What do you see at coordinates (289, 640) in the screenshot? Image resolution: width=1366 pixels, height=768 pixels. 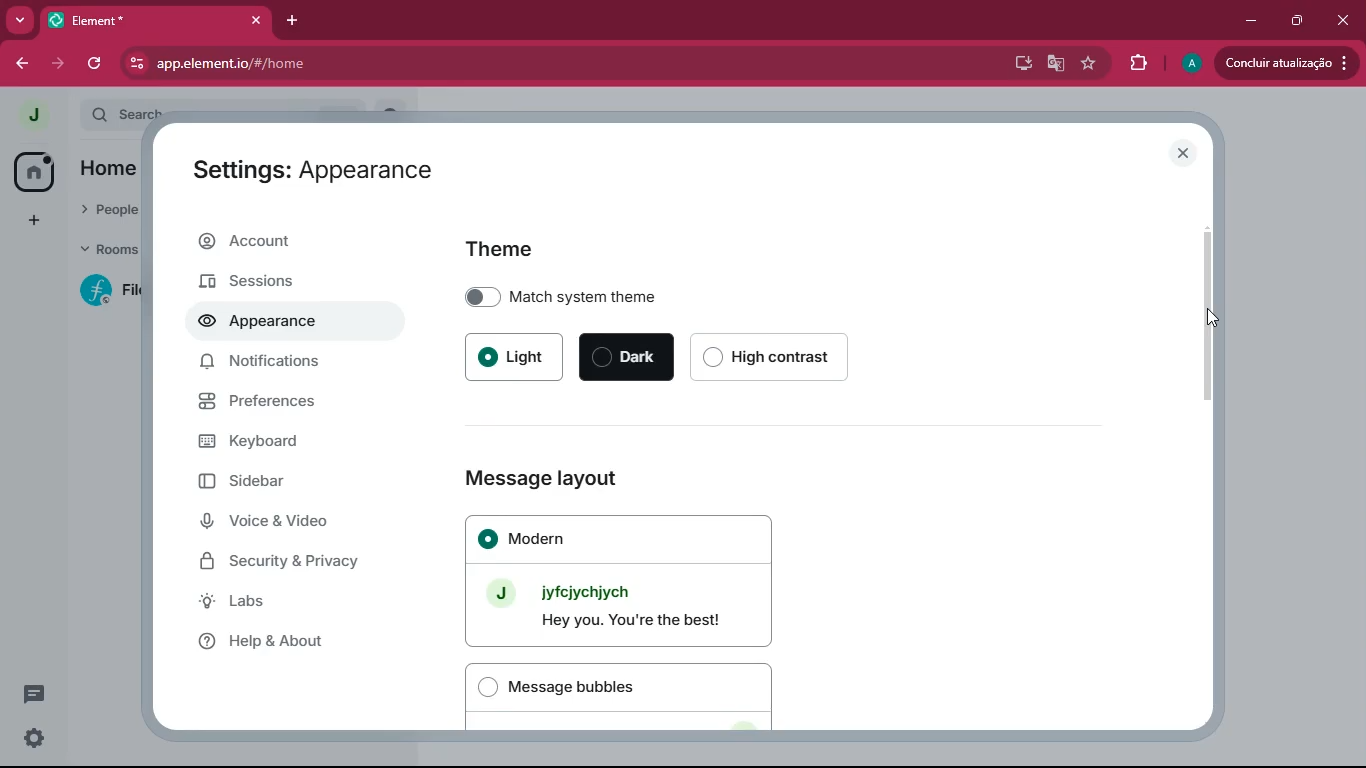 I see `help` at bounding box center [289, 640].